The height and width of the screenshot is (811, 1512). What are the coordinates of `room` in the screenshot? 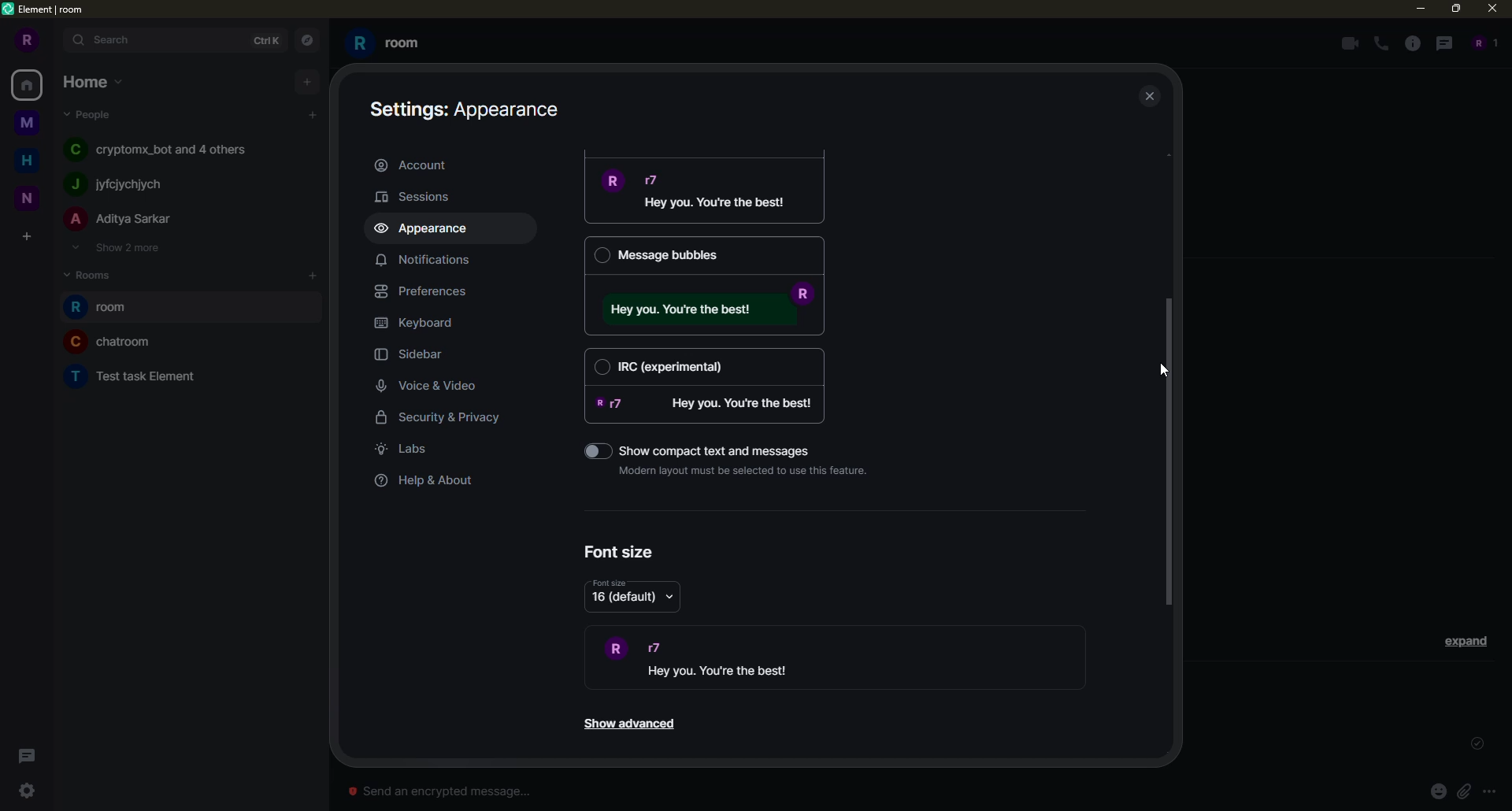 It's located at (387, 43).